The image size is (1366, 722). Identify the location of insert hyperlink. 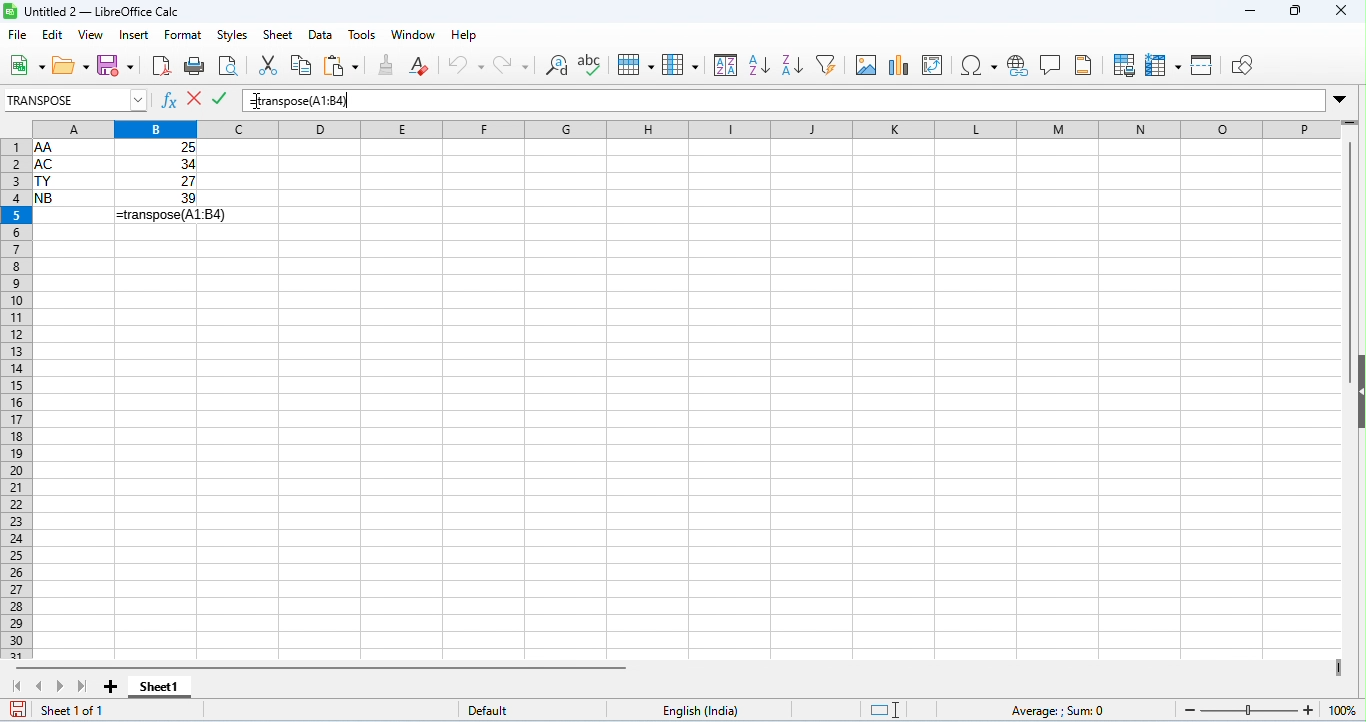
(1017, 67).